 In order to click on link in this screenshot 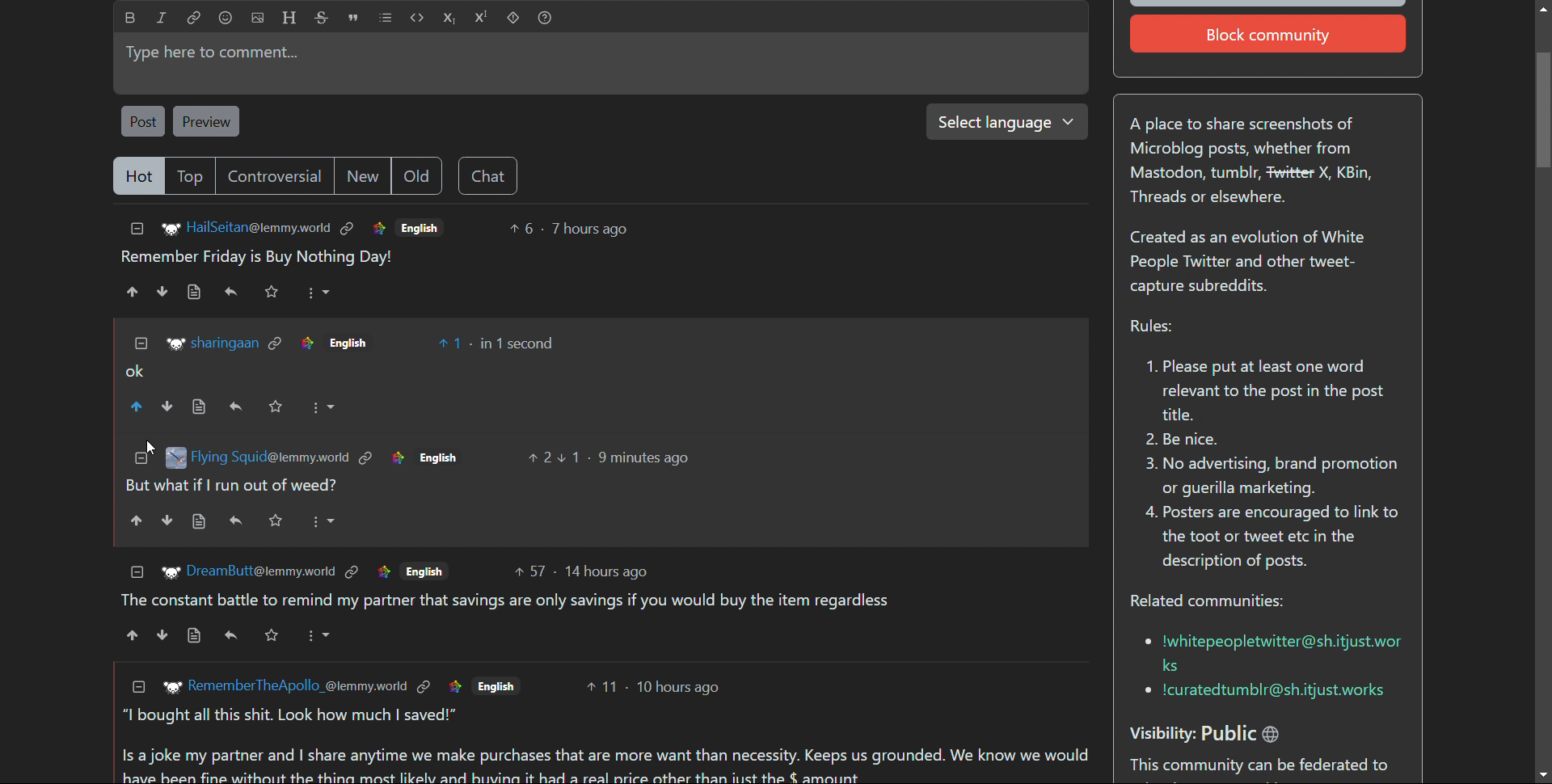, I will do `click(306, 344)`.